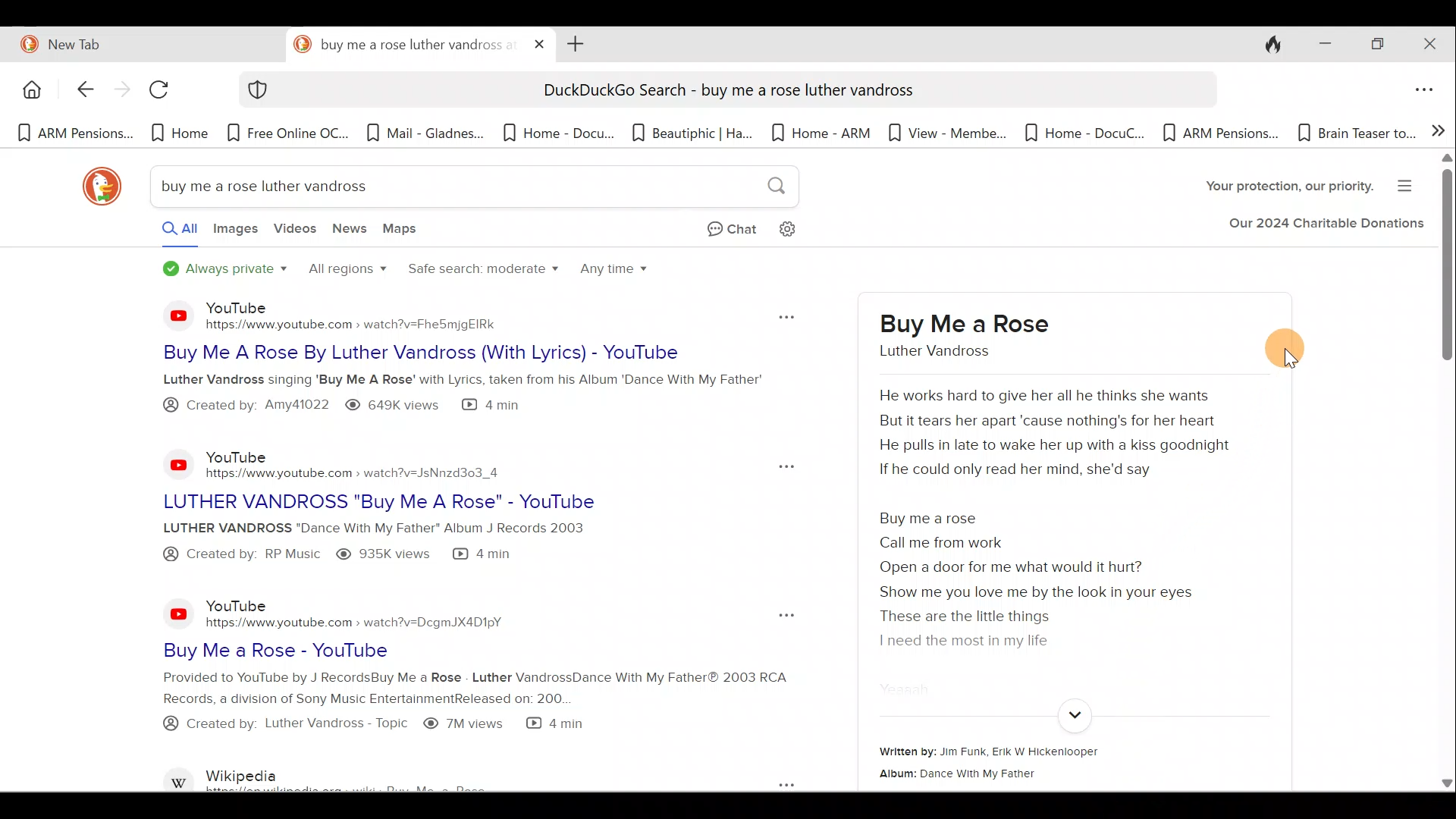  I want to click on DuckDuckGo logo, so click(95, 187).